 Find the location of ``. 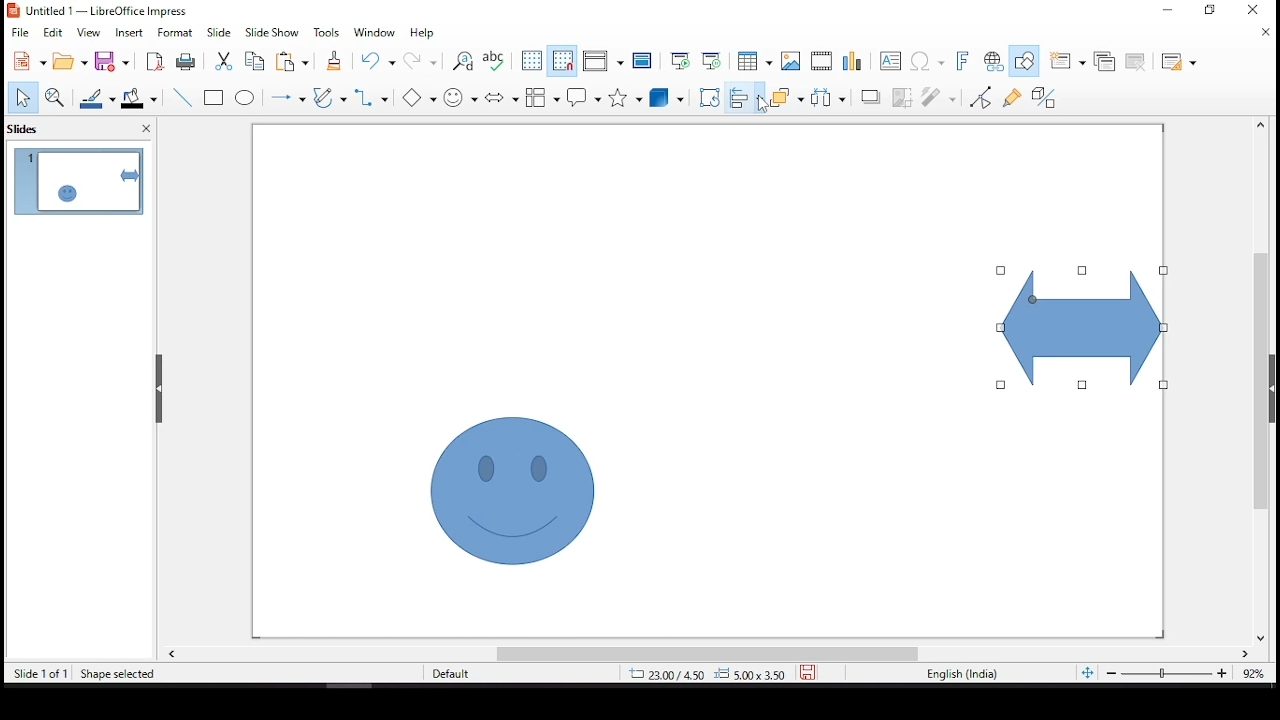

 is located at coordinates (423, 98).